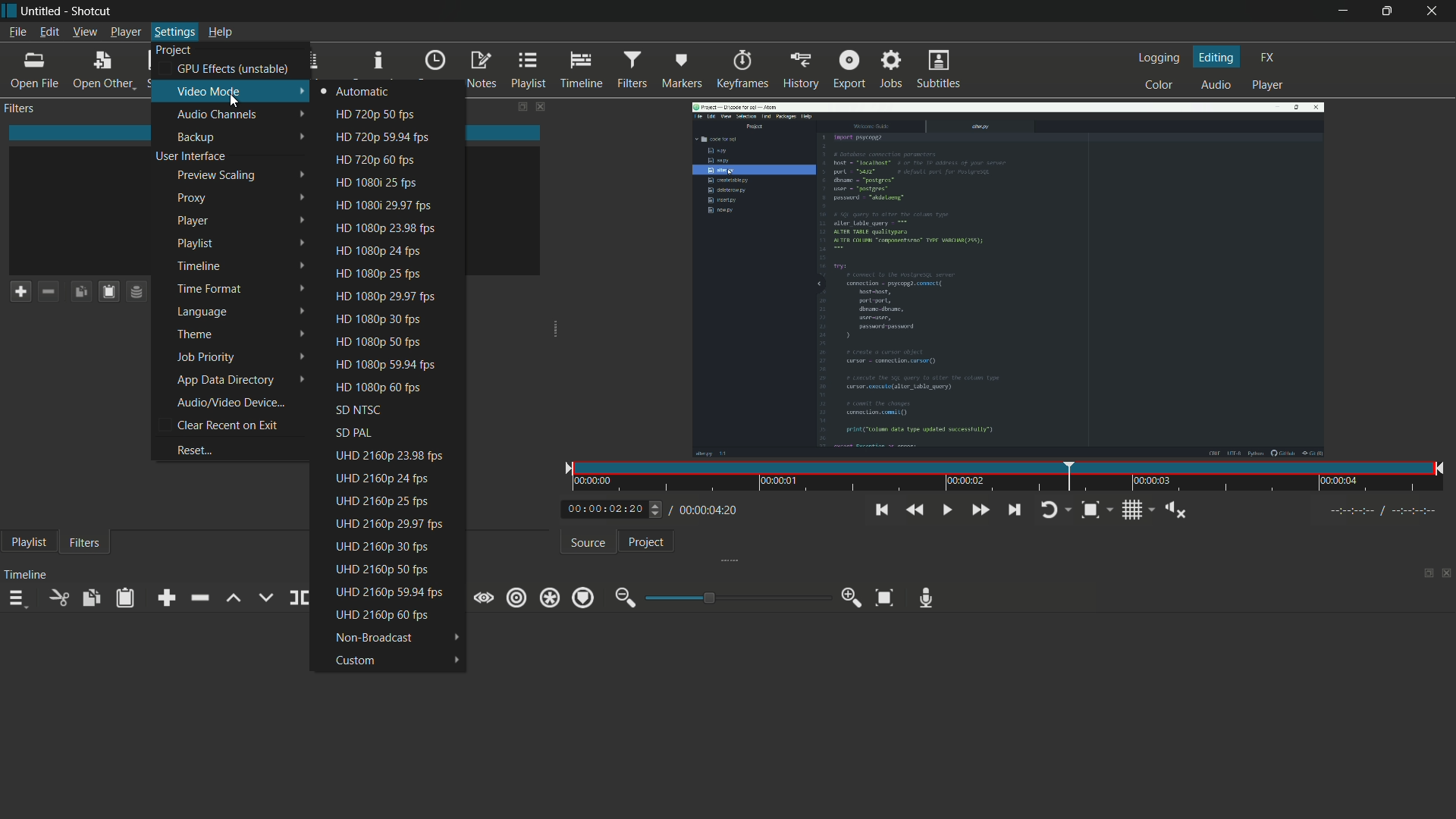  What do you see at coordinates (242, 268) in the screenshot?
I see `timeline` at bounding box center [242, 268].